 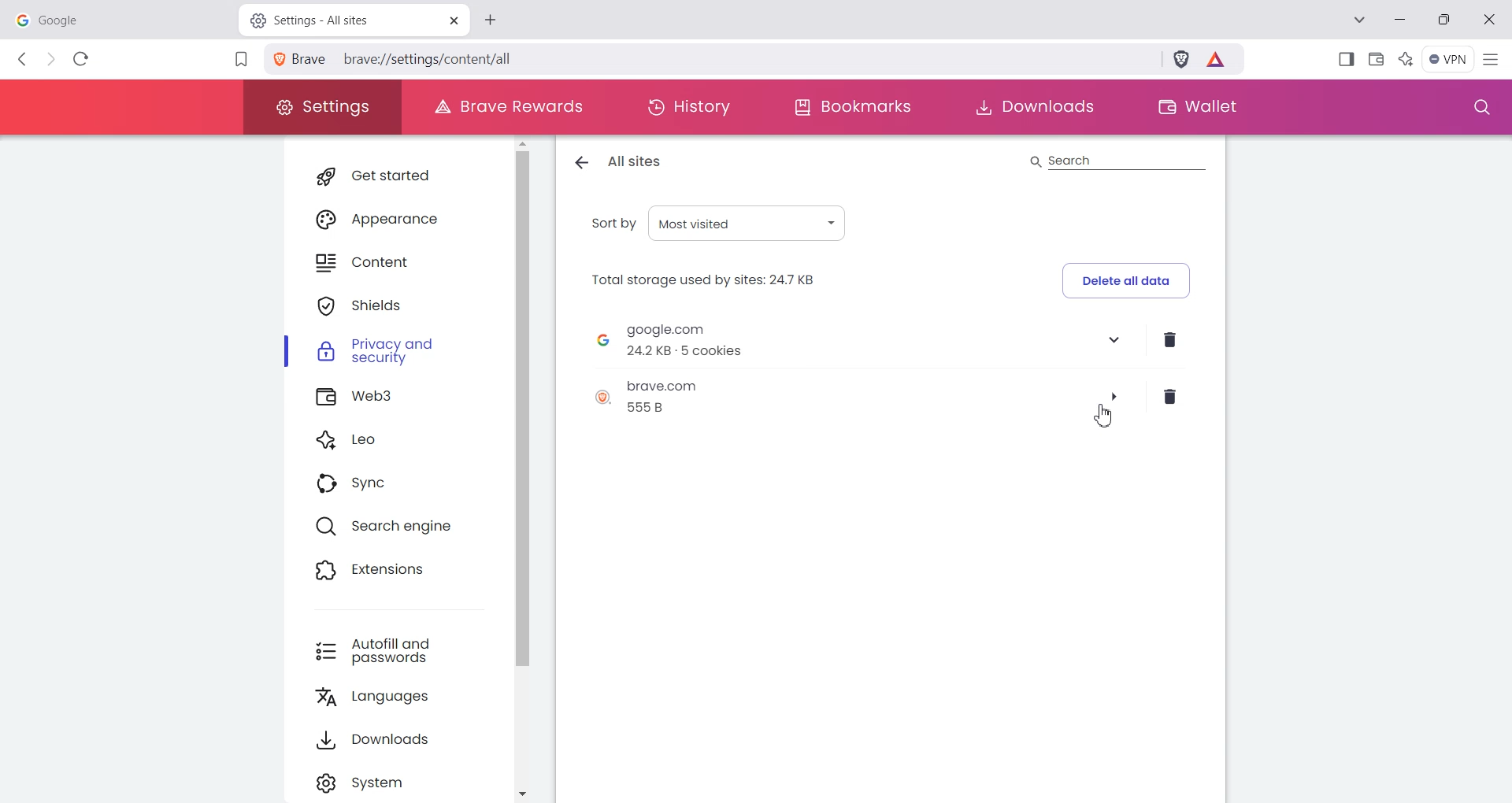 I want to click on Leo Ai, so click(x=1406, y=57).